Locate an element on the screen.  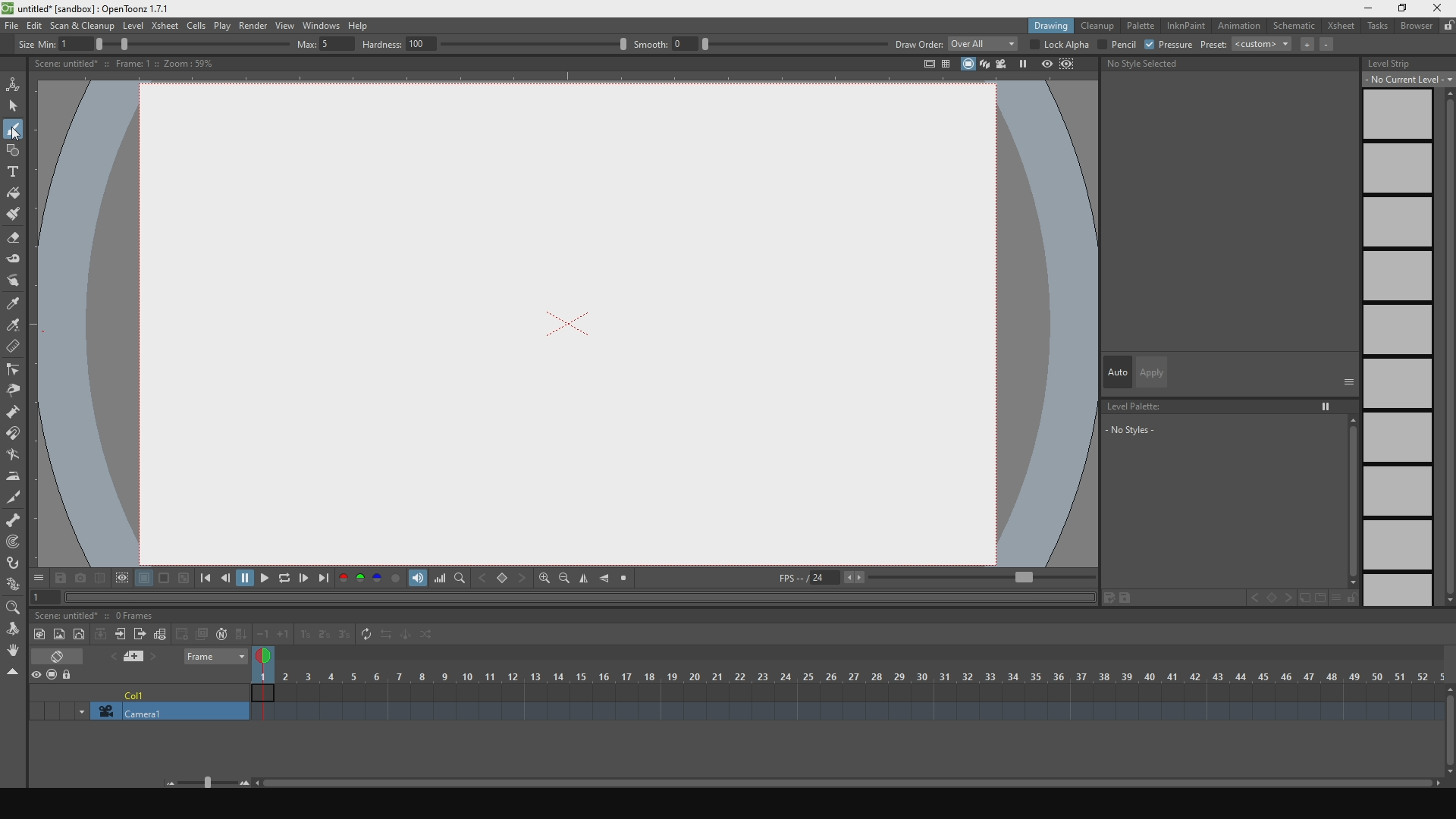
lock alpha is located at coordinates (1059, 45).